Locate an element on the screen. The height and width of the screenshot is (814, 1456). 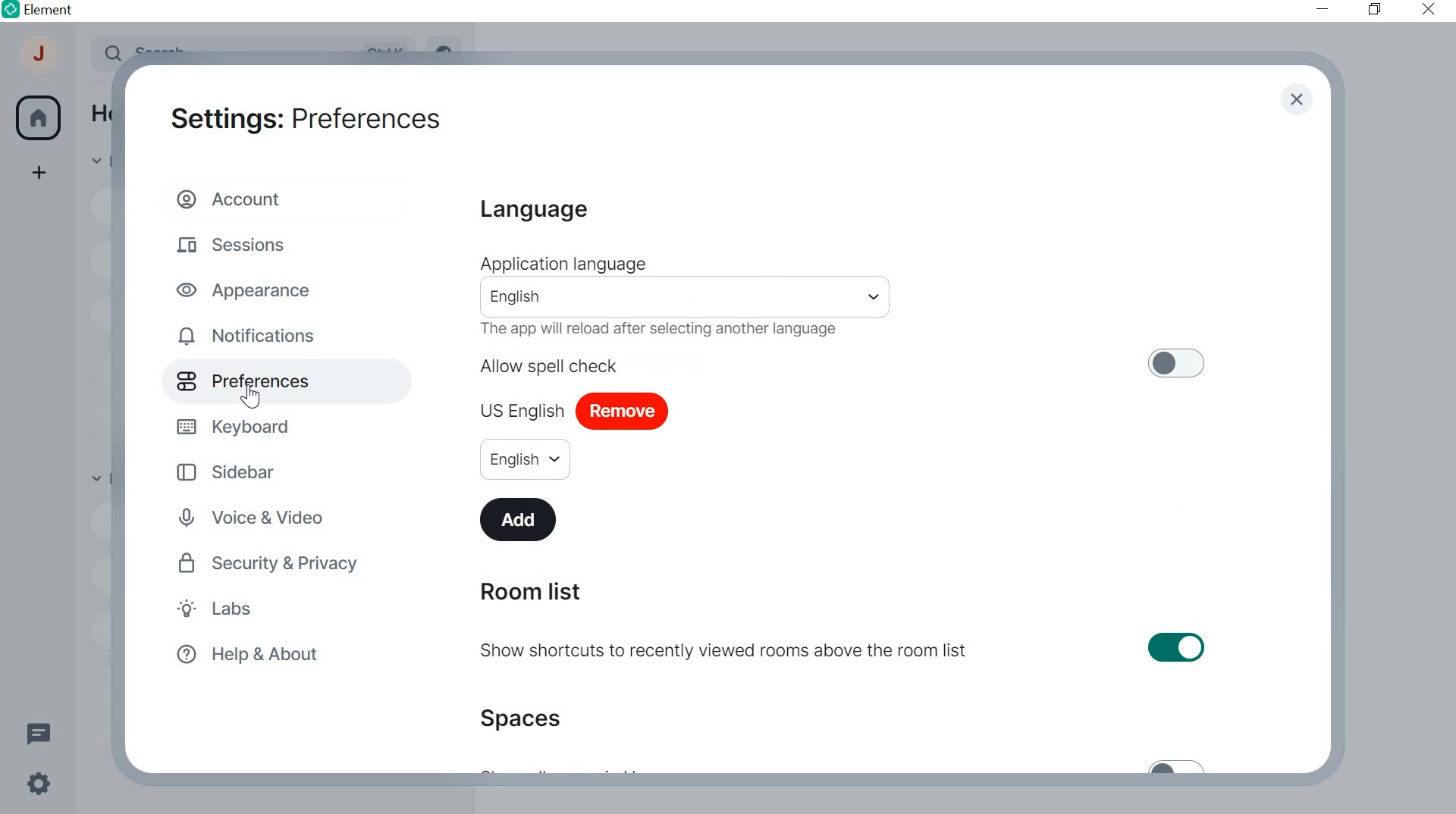
This app will reload after selecting another language is located at coordinates (668, 330).